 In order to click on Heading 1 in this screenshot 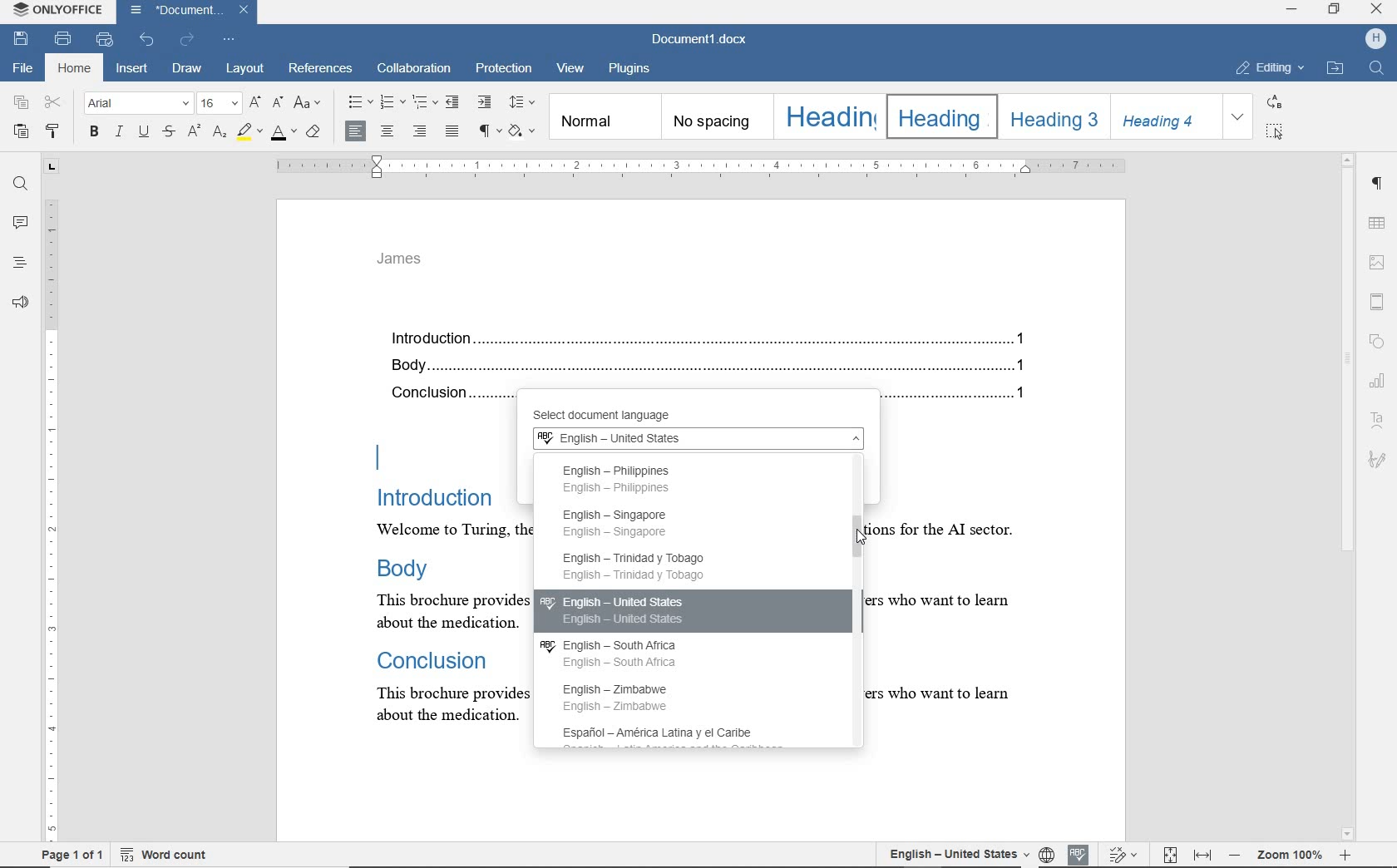, I will do `click(827, 116)`.